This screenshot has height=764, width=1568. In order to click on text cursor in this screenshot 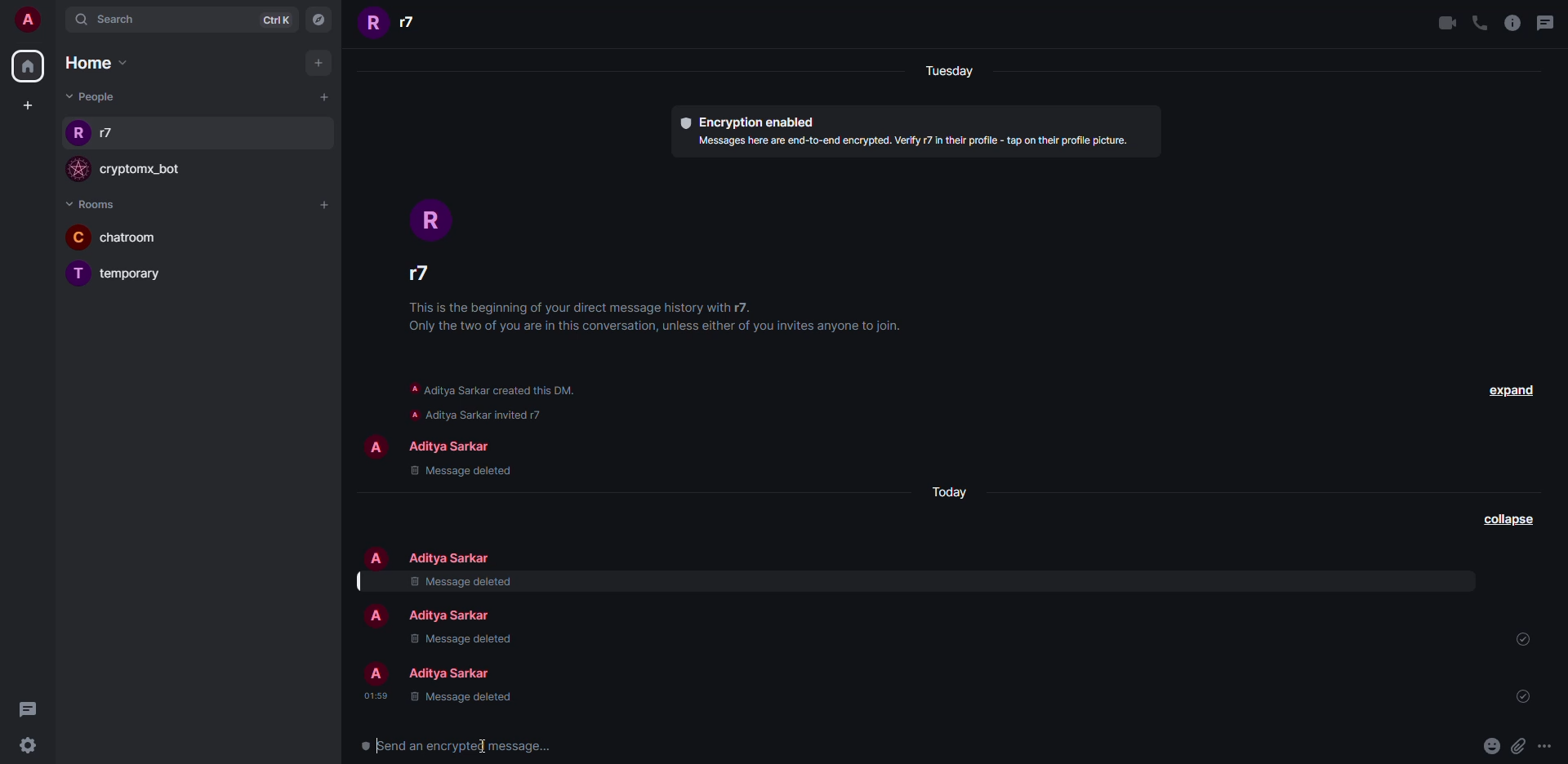, I will do `click(483, 745)`.